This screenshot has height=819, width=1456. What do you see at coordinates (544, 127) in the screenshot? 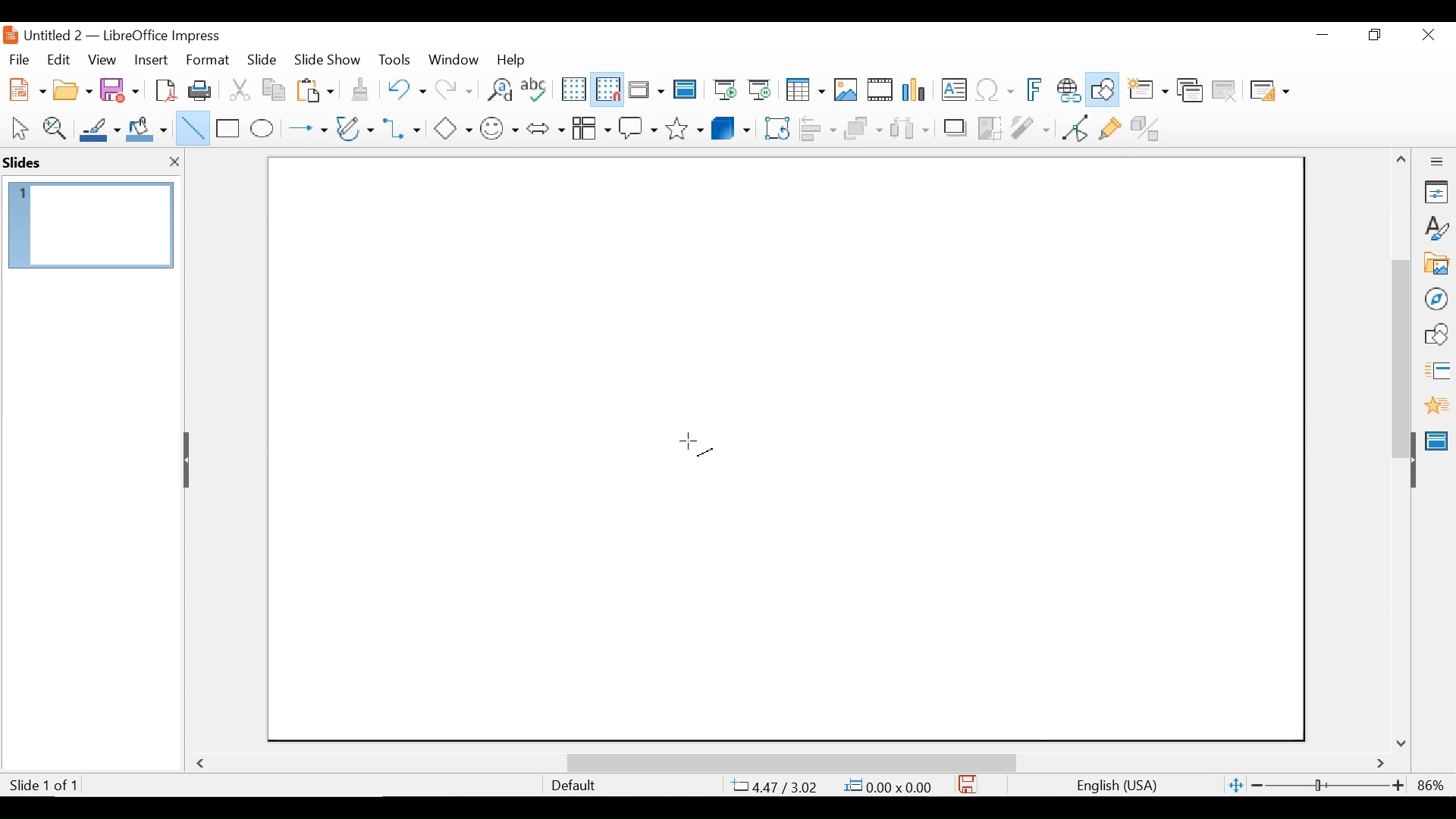
I see `Block Arrows` at bounding box center [544, 127].